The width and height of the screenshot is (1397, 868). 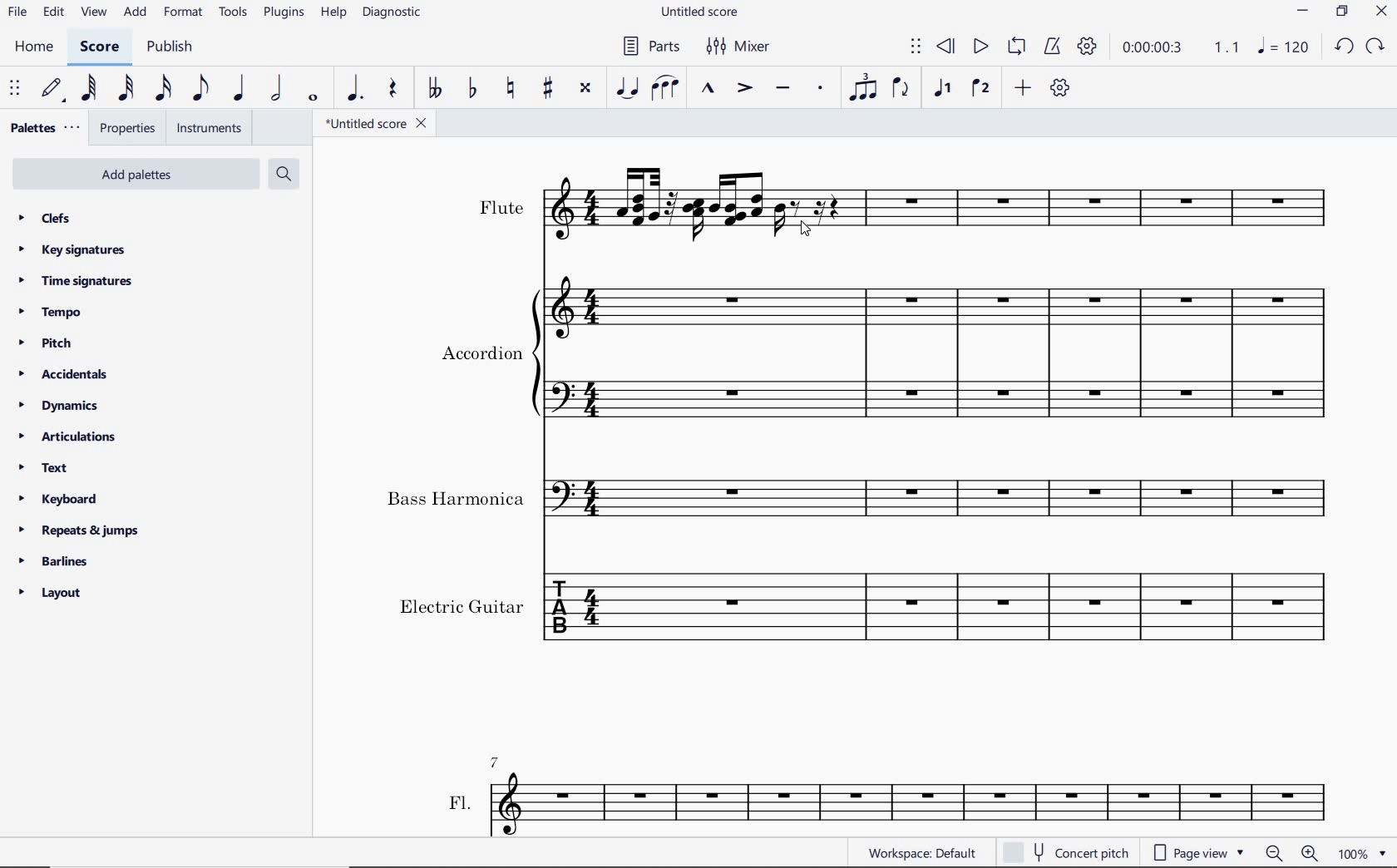 I want to click on page view, so click(x=1202, y=851).